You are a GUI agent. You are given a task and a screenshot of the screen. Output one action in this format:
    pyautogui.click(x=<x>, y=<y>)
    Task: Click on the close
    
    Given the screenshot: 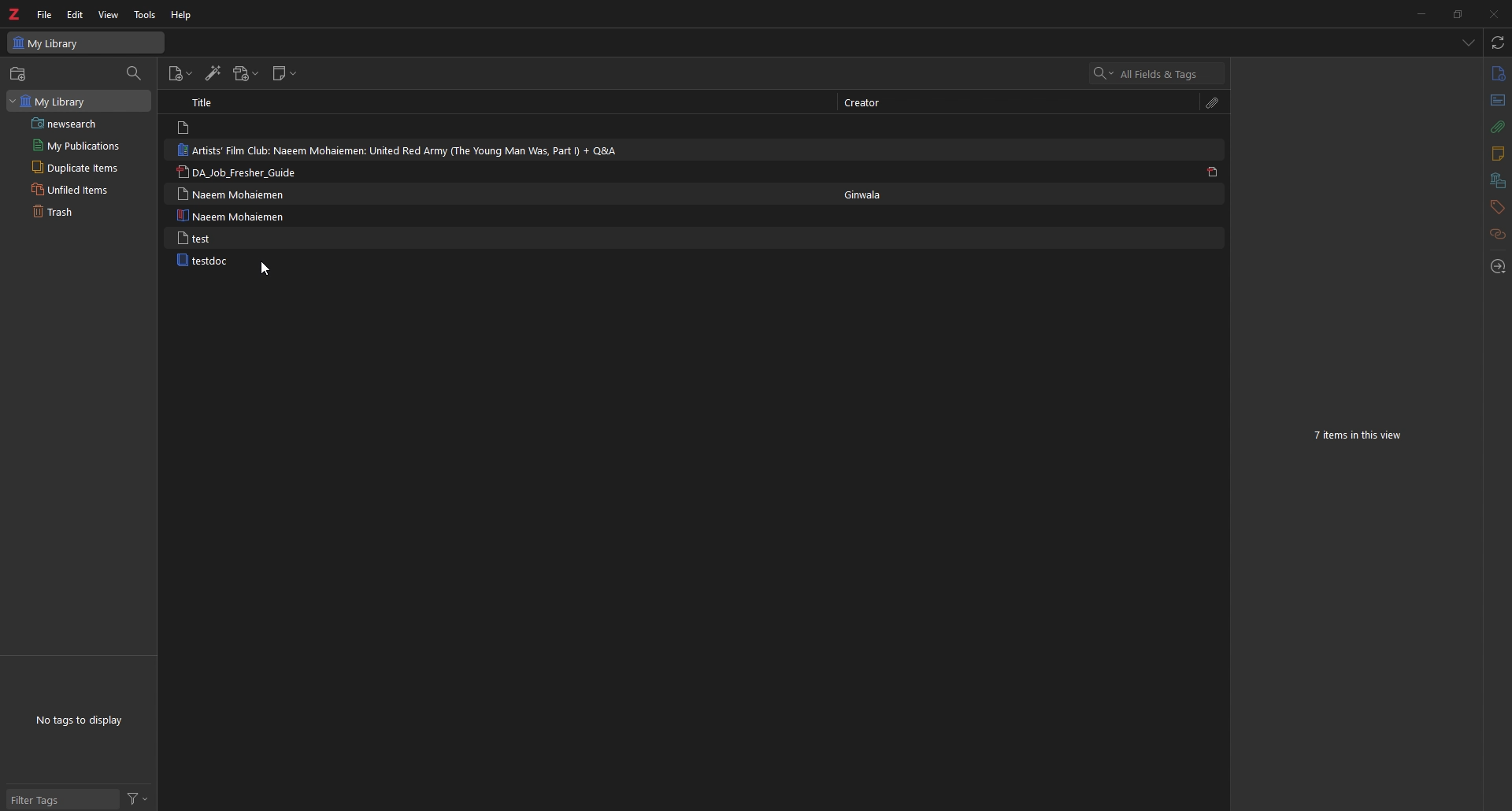 What is the action you would take?
    pyautogui.click(x=1493, y=13)
    